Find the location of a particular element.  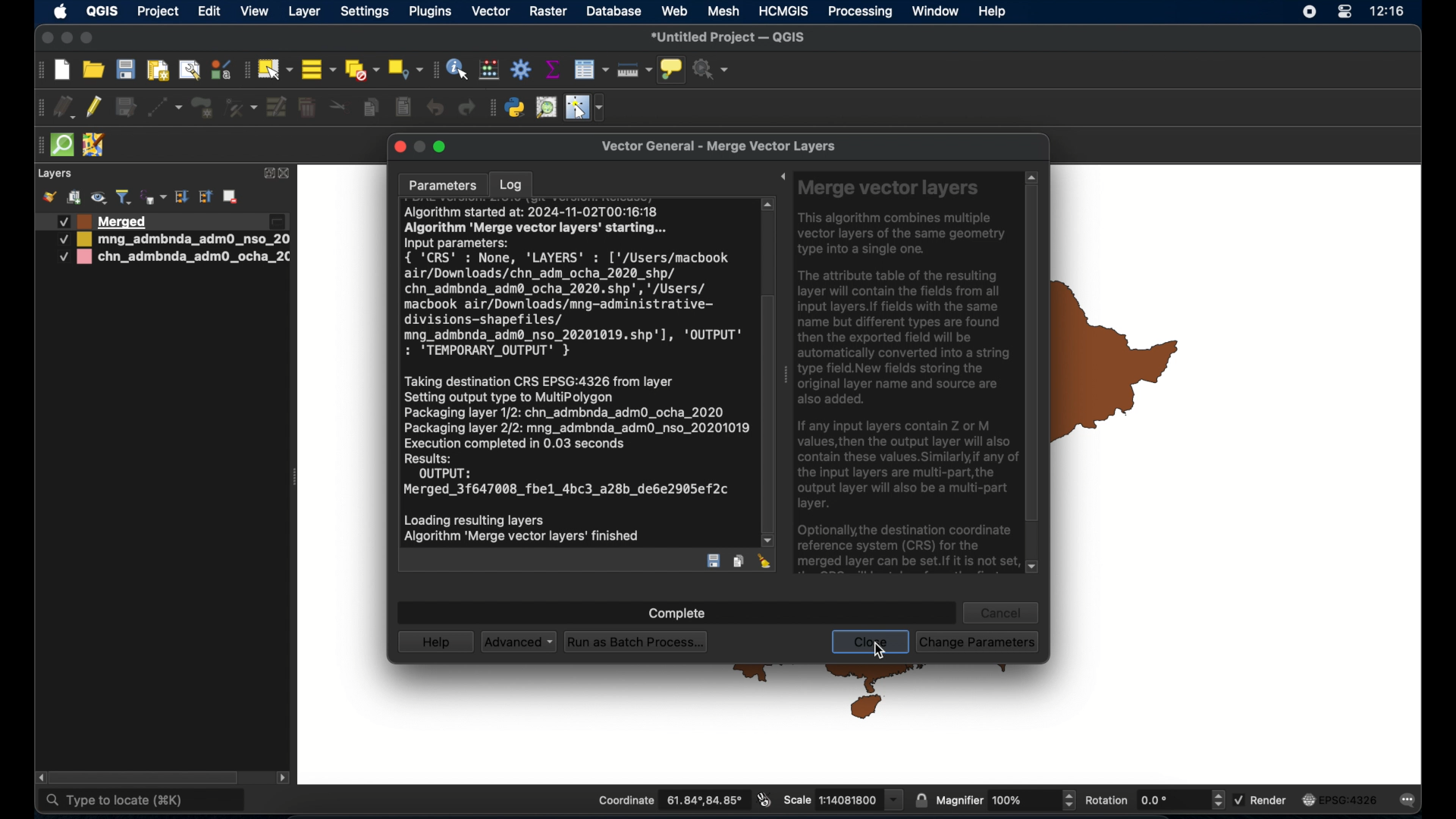

show statistical summary is located at coordinates (551, 69).